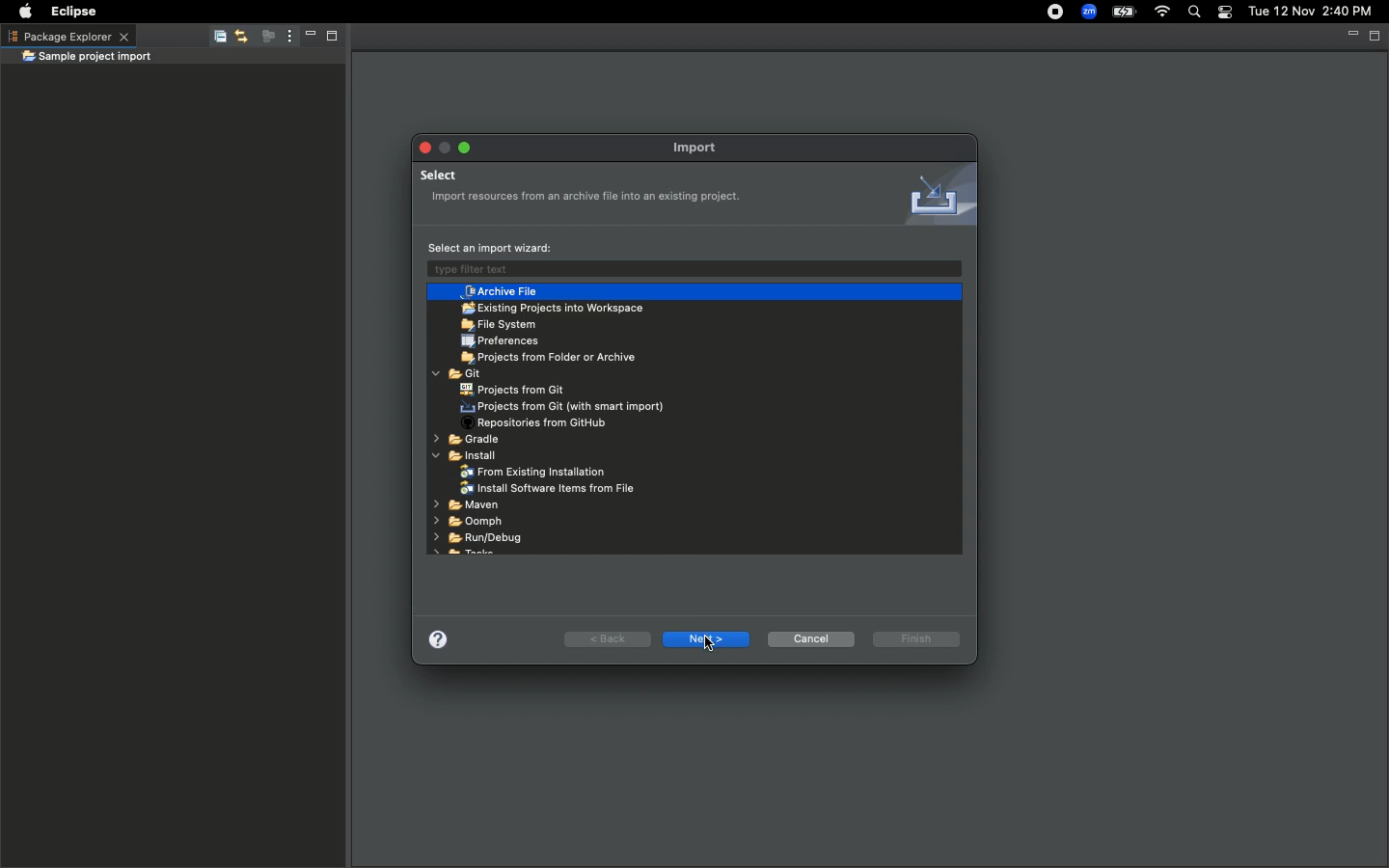 Image resolution: width=1389 pixels, height=868 pixels. What do you see at coordinates (555, 359) in the screenshot?
I see `Projects from folder or archive` at bounding box center [555, 359].